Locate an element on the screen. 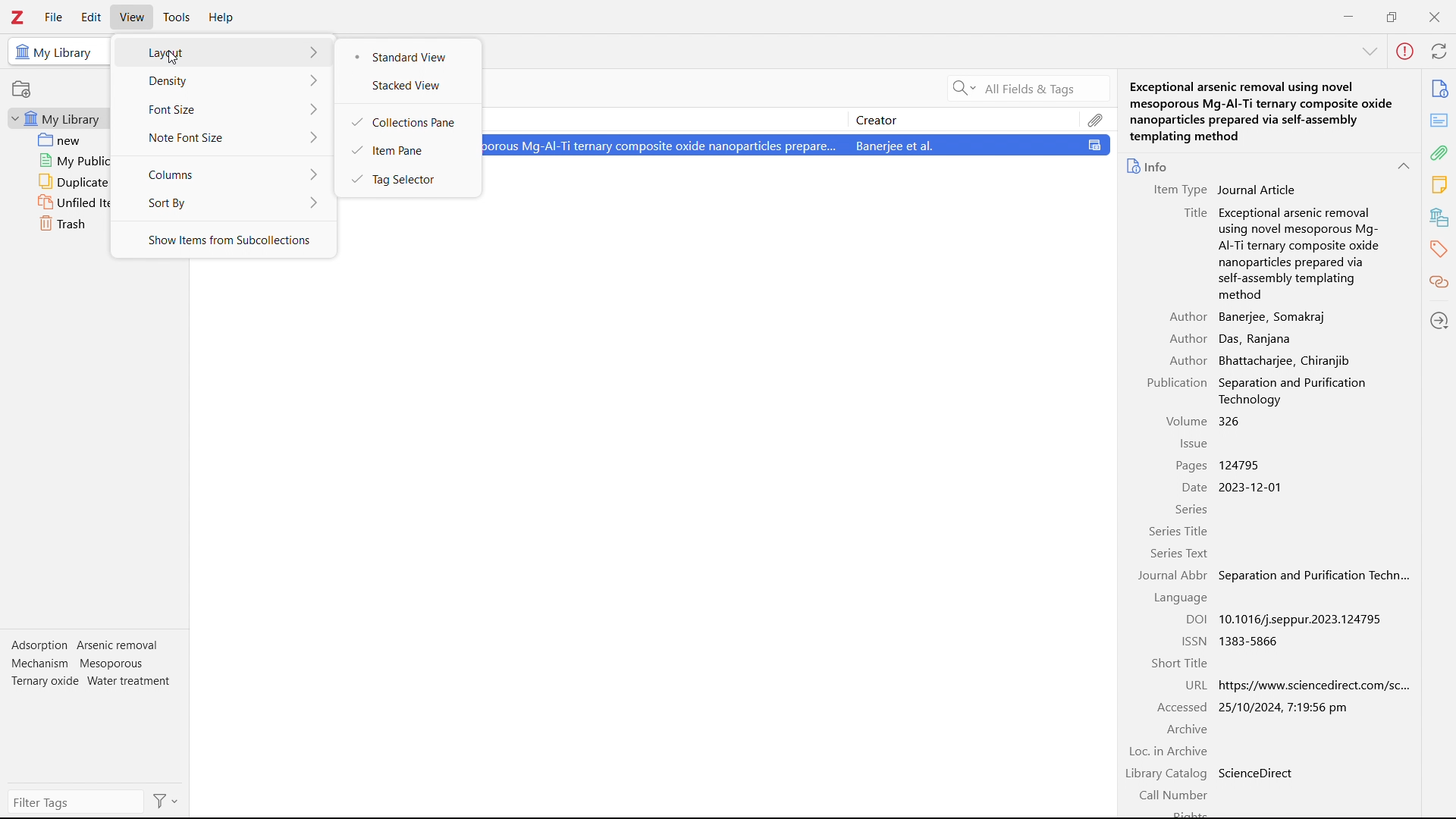 The height and width of the screenshot is (819, 1456). Adsorption Arsenic removal is located at coordinates (87, 645).